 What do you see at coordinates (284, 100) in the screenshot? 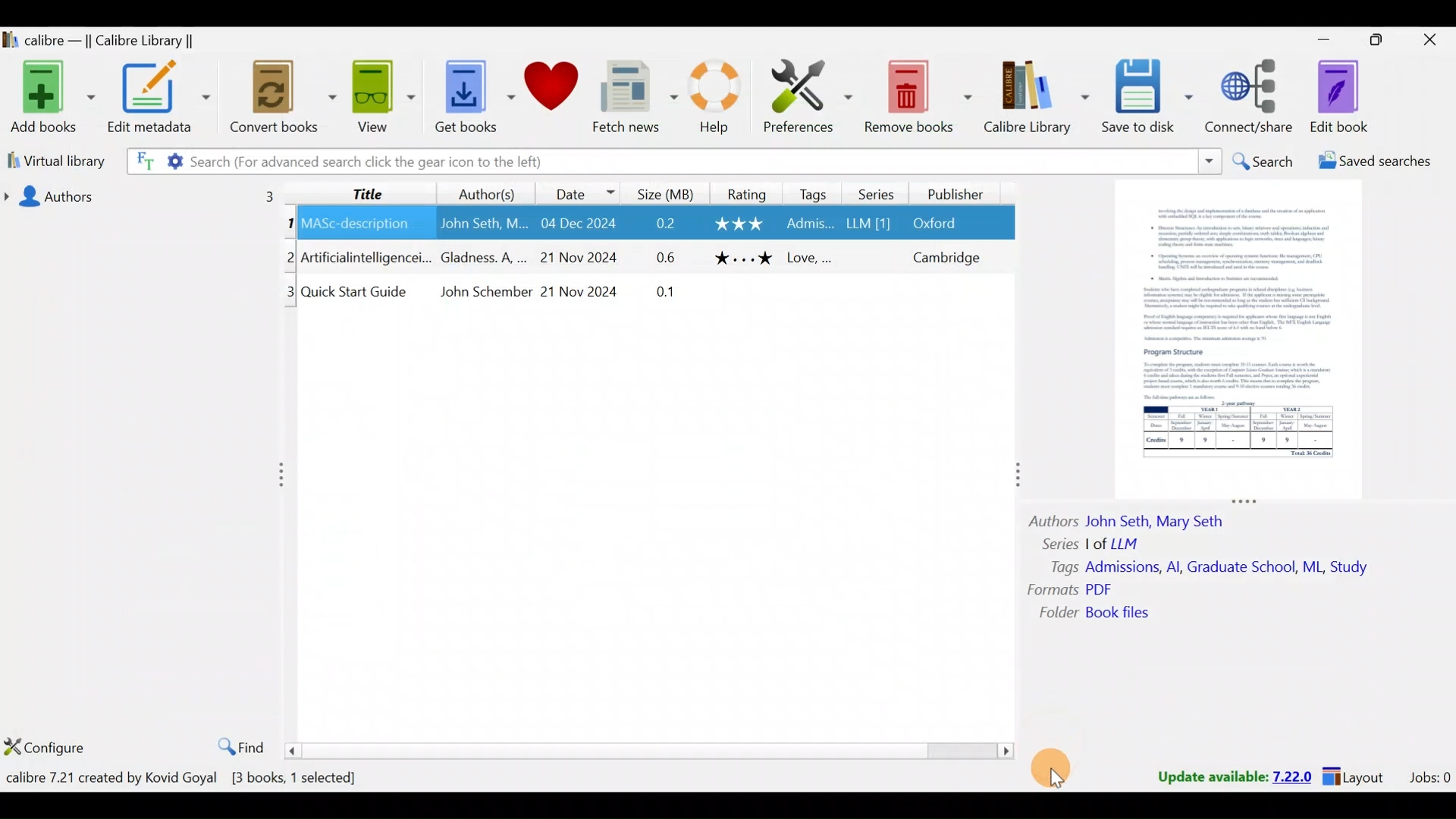
I see `Convert books` at bounding box center [284, 100].